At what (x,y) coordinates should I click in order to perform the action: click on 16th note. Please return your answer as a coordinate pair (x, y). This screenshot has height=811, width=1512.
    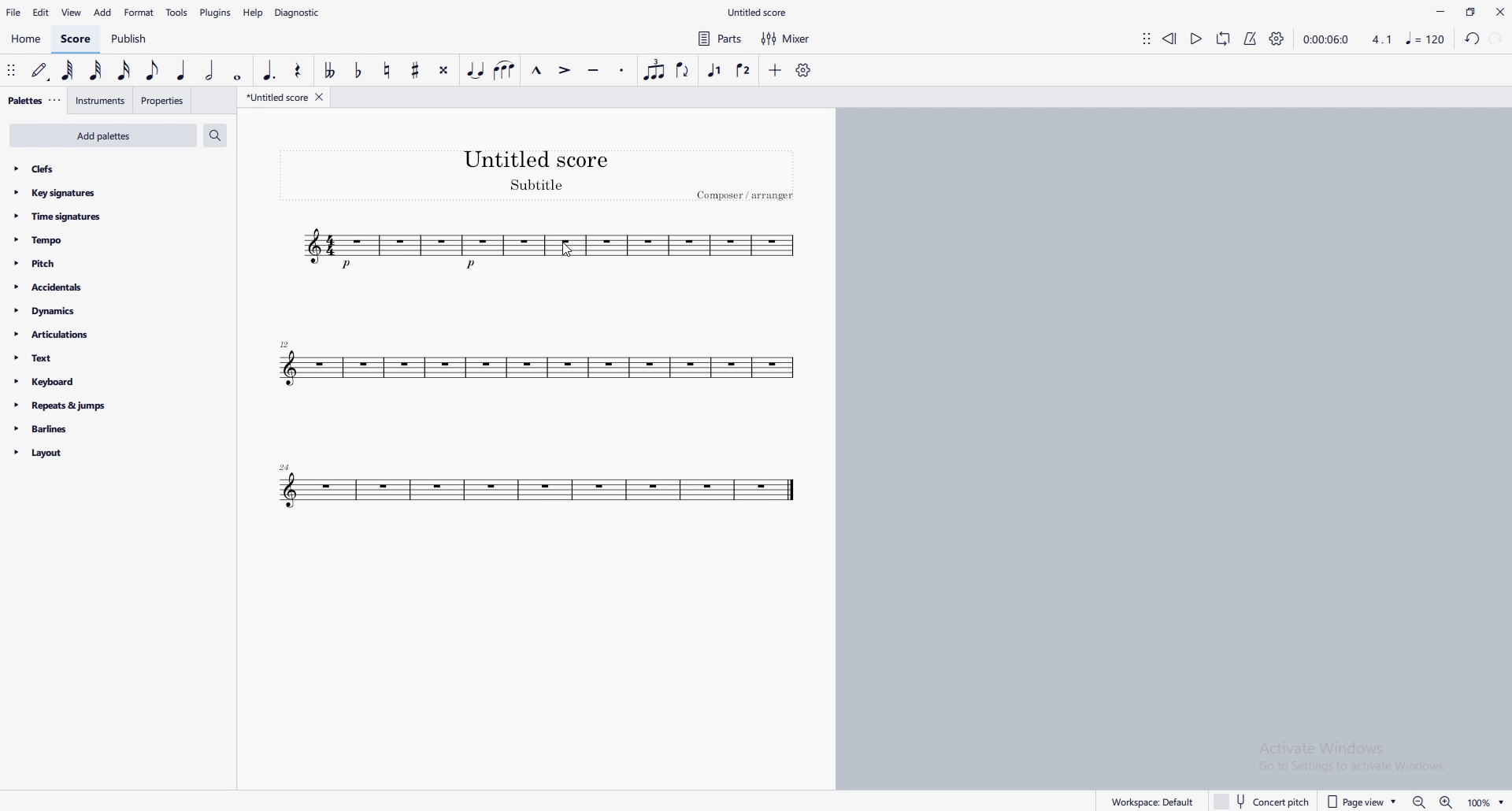
    Looking at the image, I should click on (124, 71).